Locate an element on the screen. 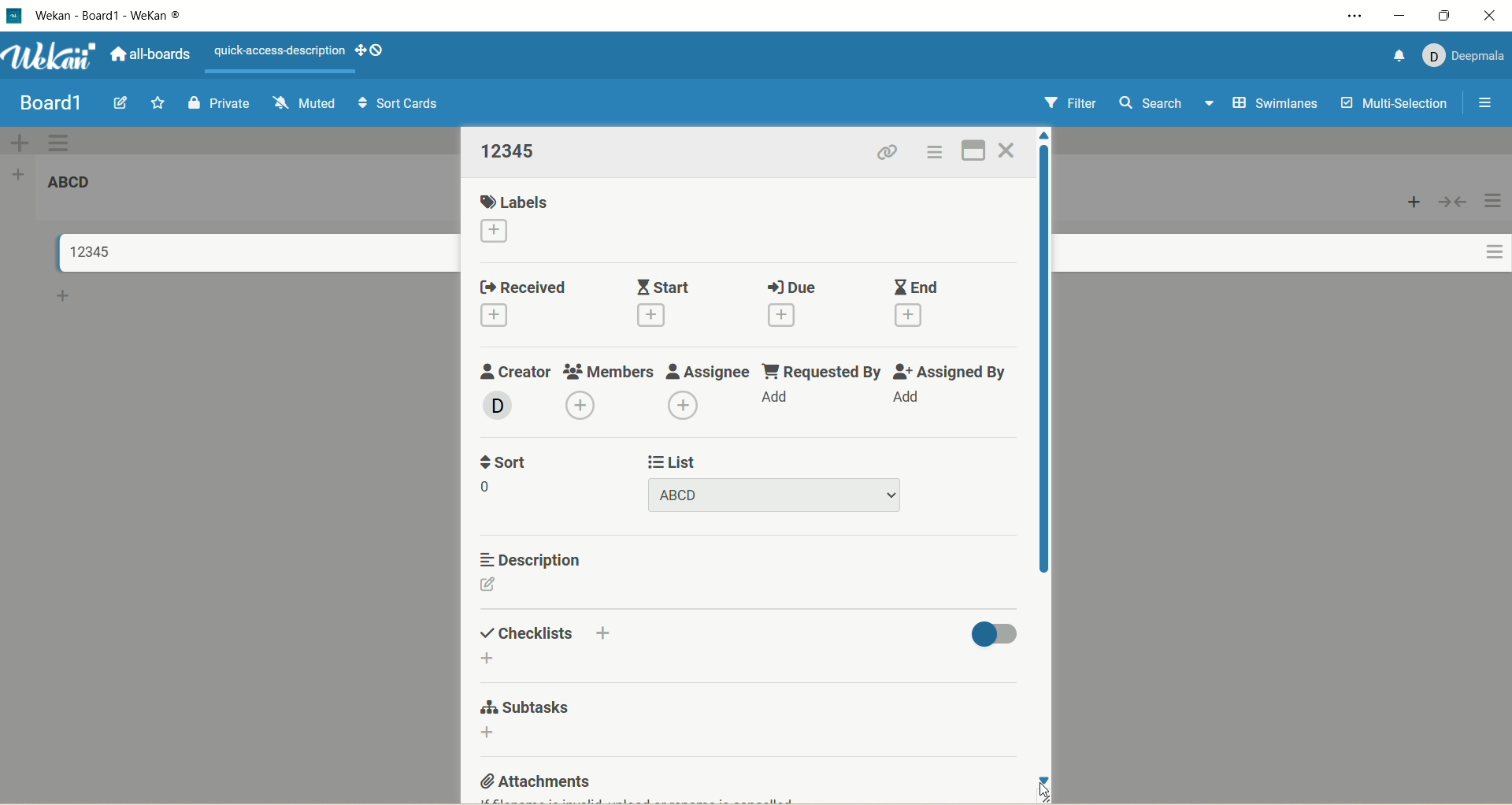 The image size is (1512, 805). edit is located at coordinates (494, 584).